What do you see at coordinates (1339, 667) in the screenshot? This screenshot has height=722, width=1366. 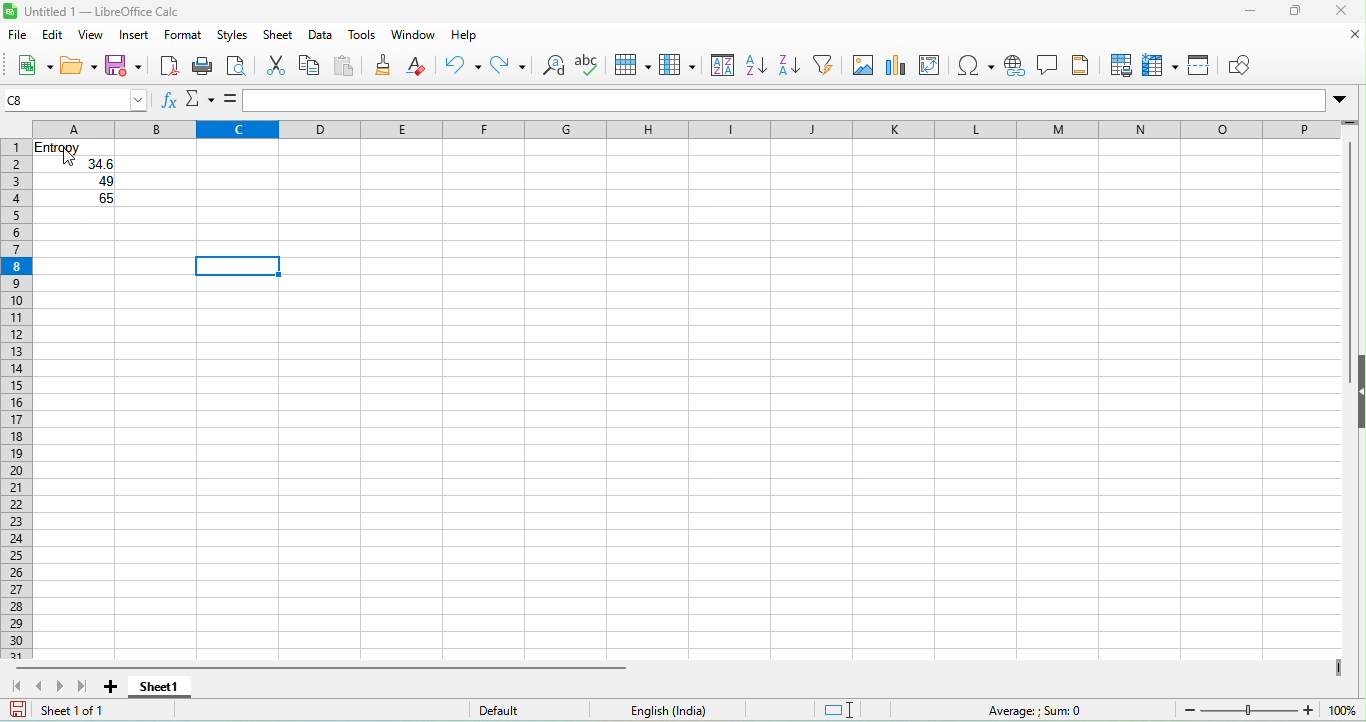 I see `drag to view more columns` at bounding box center [1339, 667].